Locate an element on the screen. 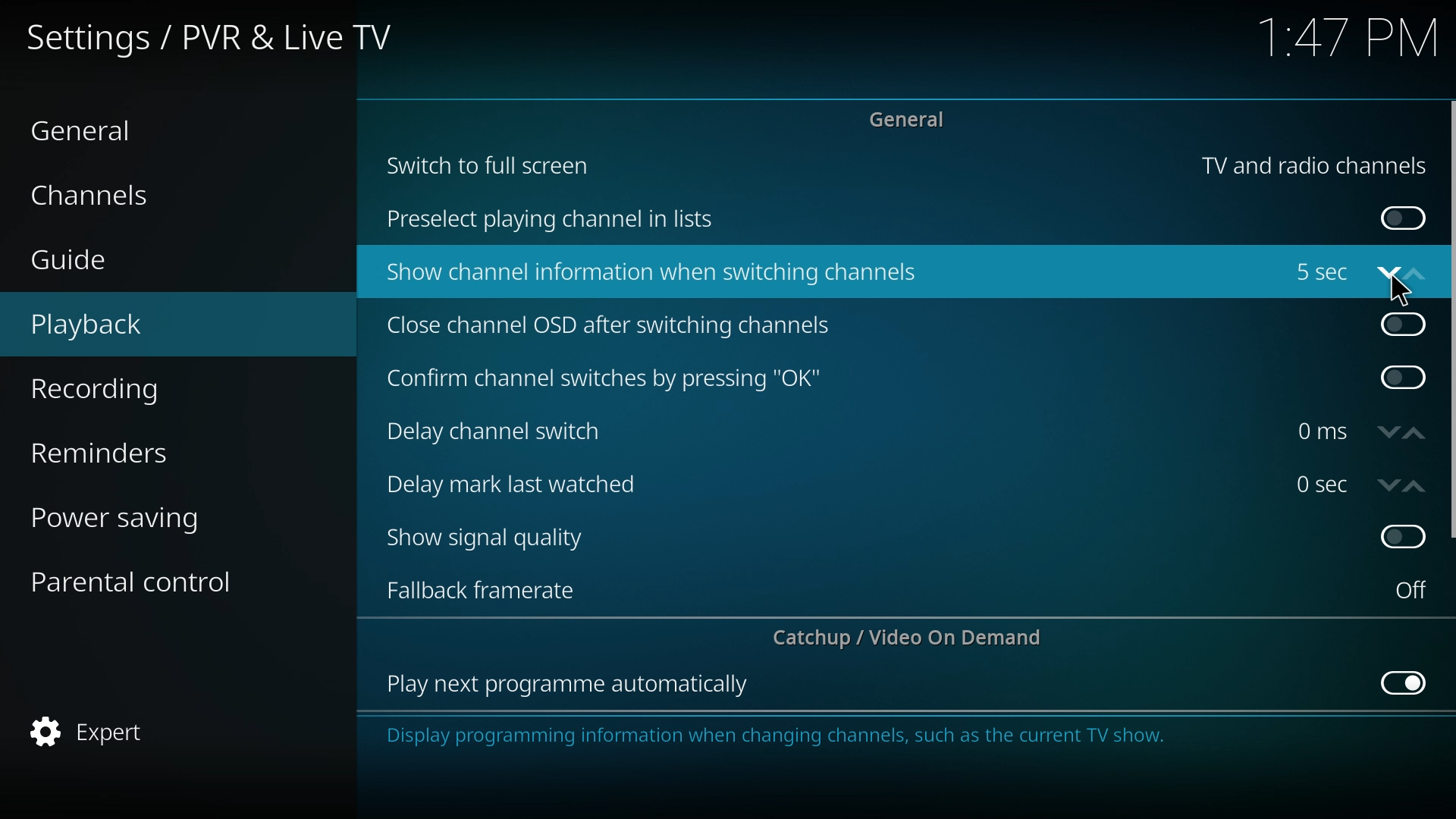 Image resolution: width=1456 pixels, height=819 pixels. expert is located at coordinates (136, 733).